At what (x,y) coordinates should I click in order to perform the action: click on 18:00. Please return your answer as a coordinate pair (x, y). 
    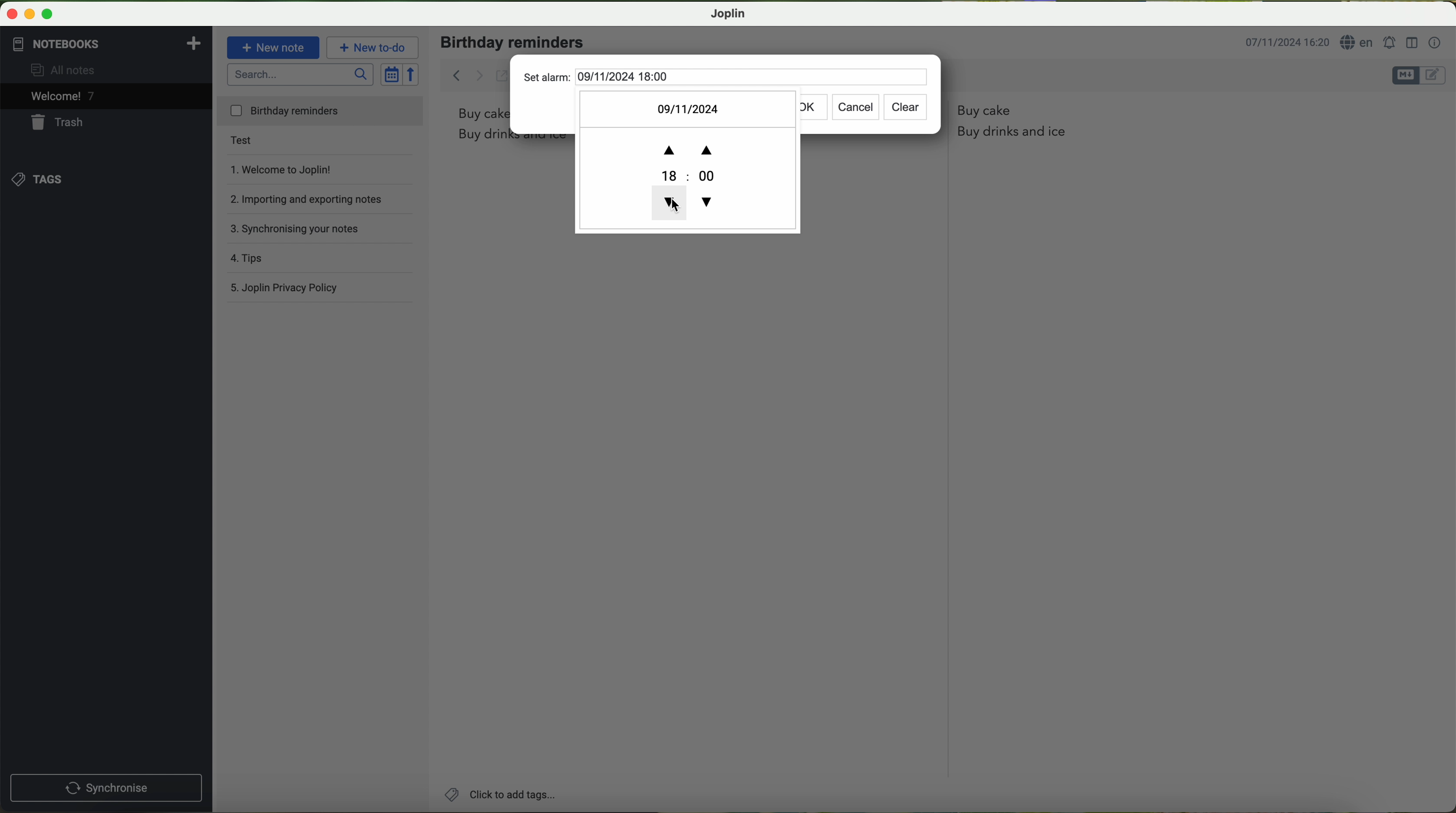
    Looking at the image, I should click on (708, 174).